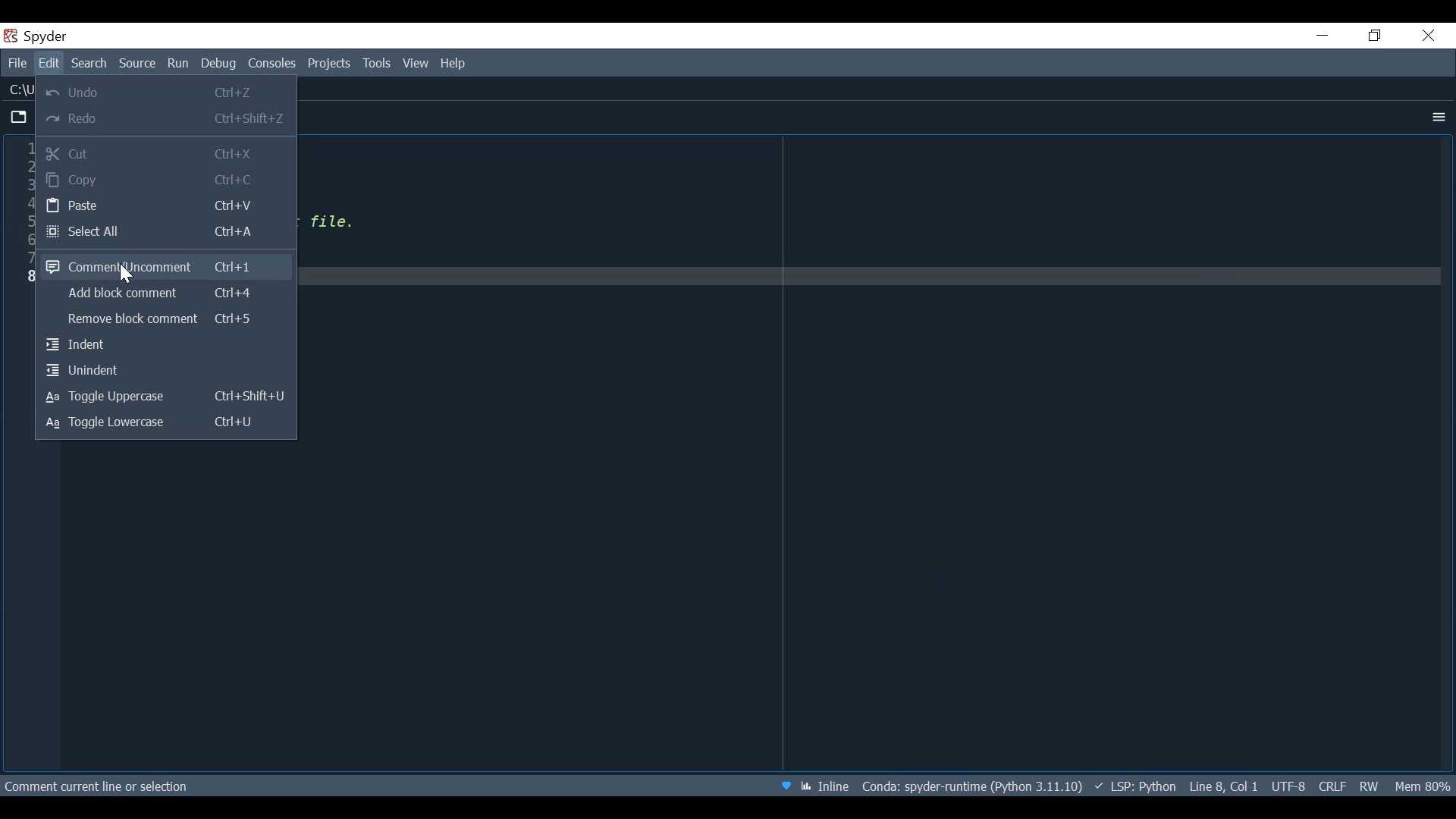 This screenshot has width=1456, height=819. What do you see at coordinates (163, 295) in the screenshot?
I see `Add block comment` at bounding box center [163, 295].